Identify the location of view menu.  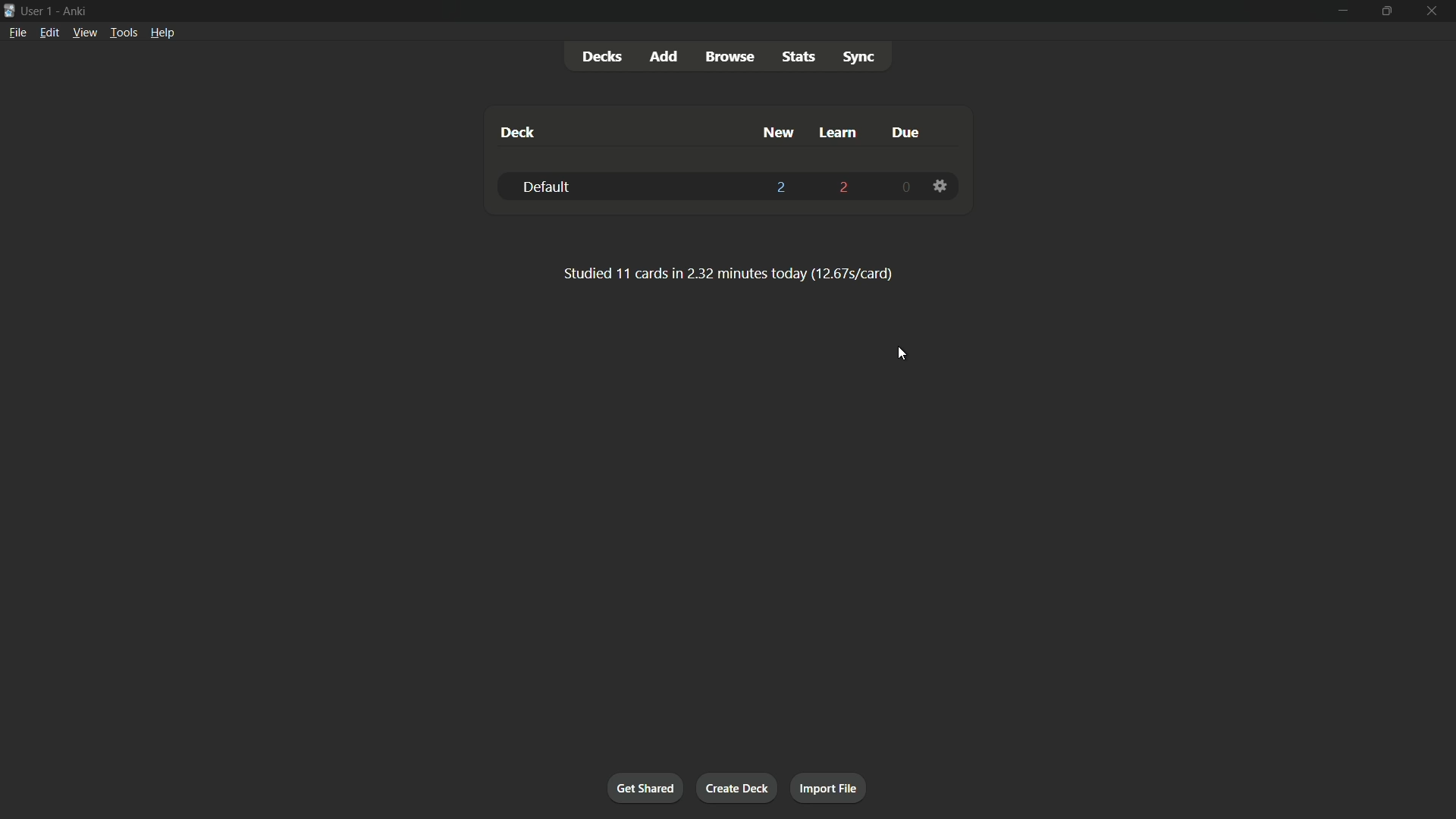
(84, 33).